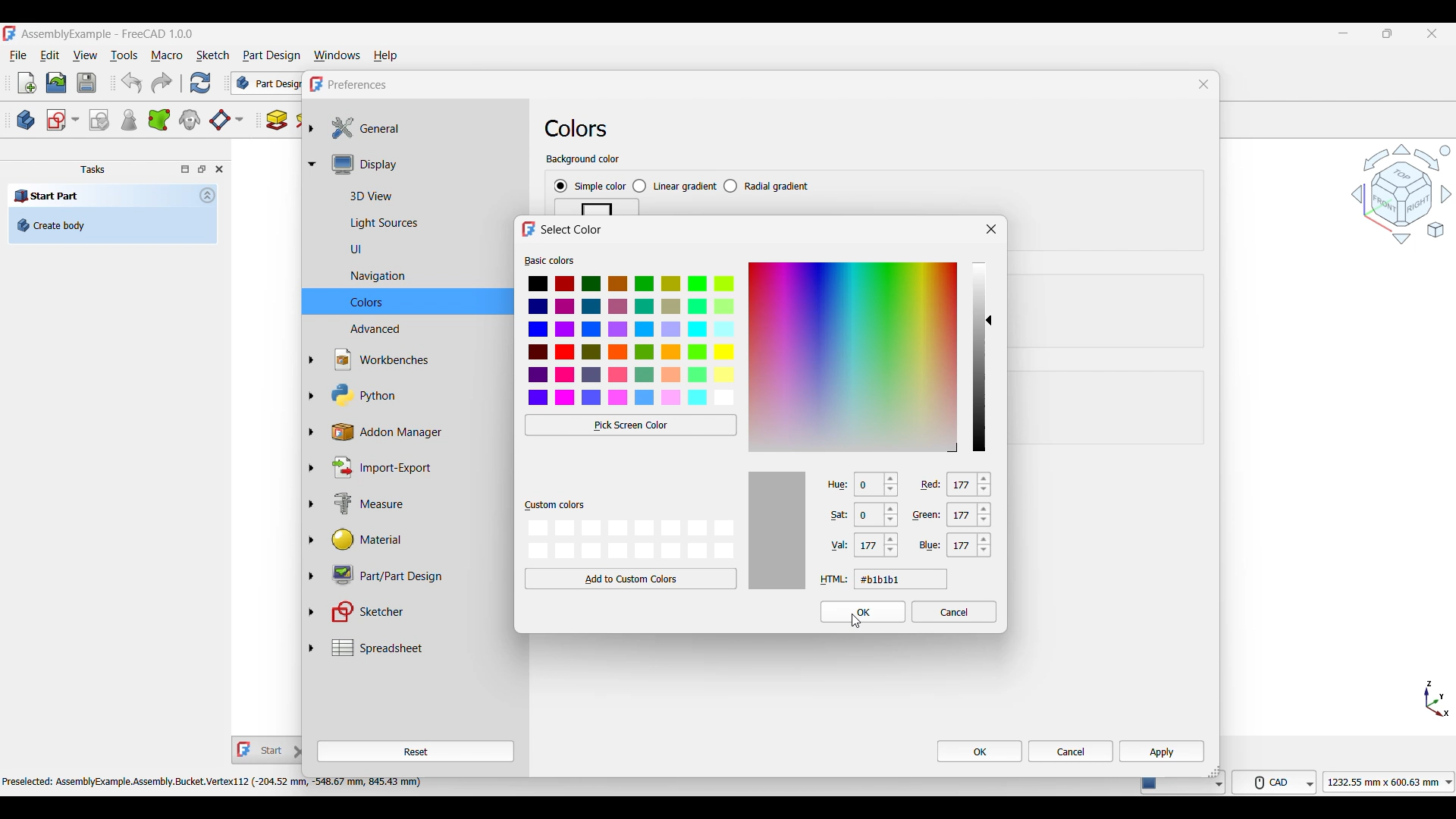  I want to click on Macro menu, so click(167, 56).